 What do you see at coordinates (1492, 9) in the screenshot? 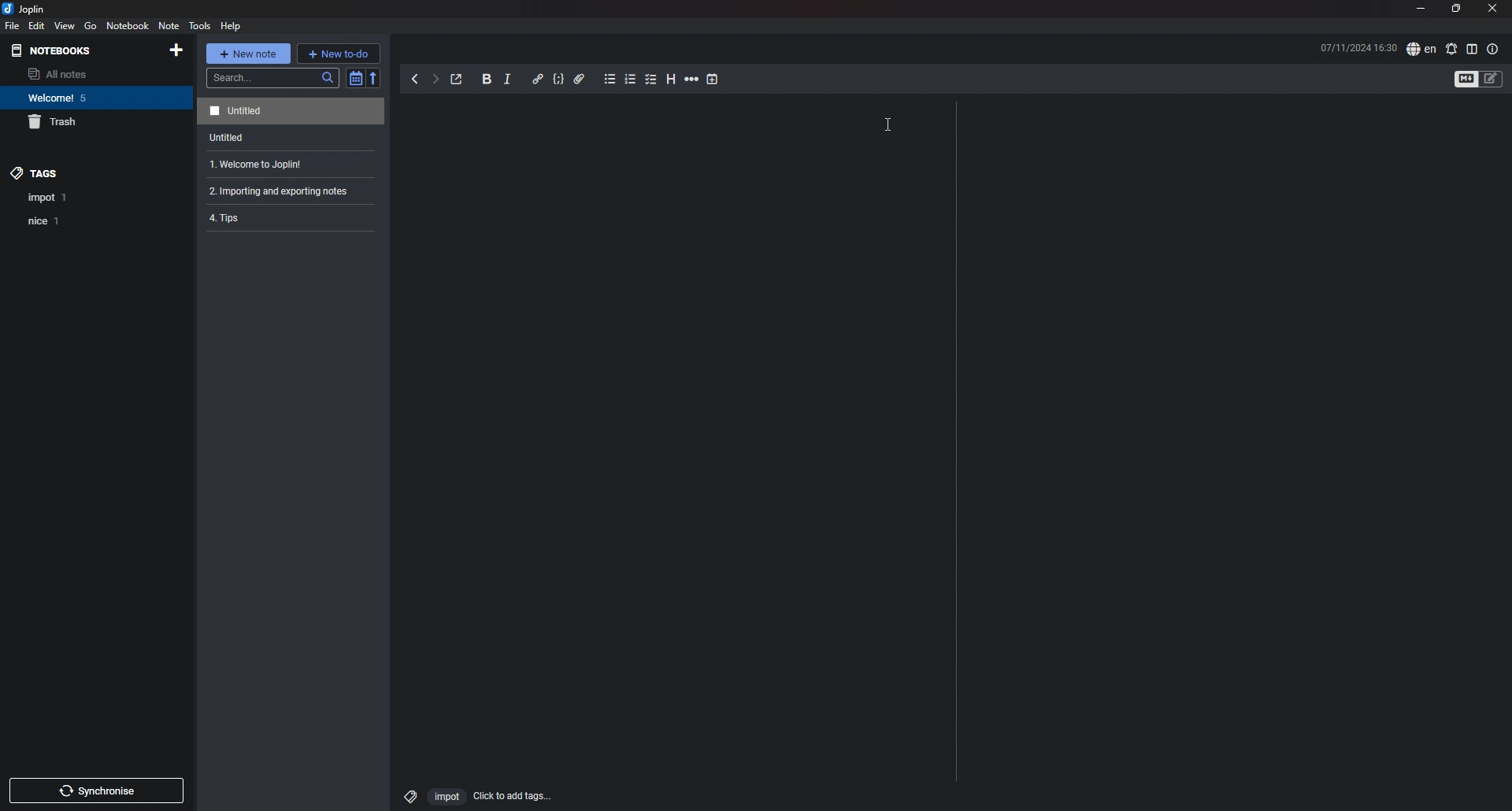
I see `close` at bounding box center [1492, 9].